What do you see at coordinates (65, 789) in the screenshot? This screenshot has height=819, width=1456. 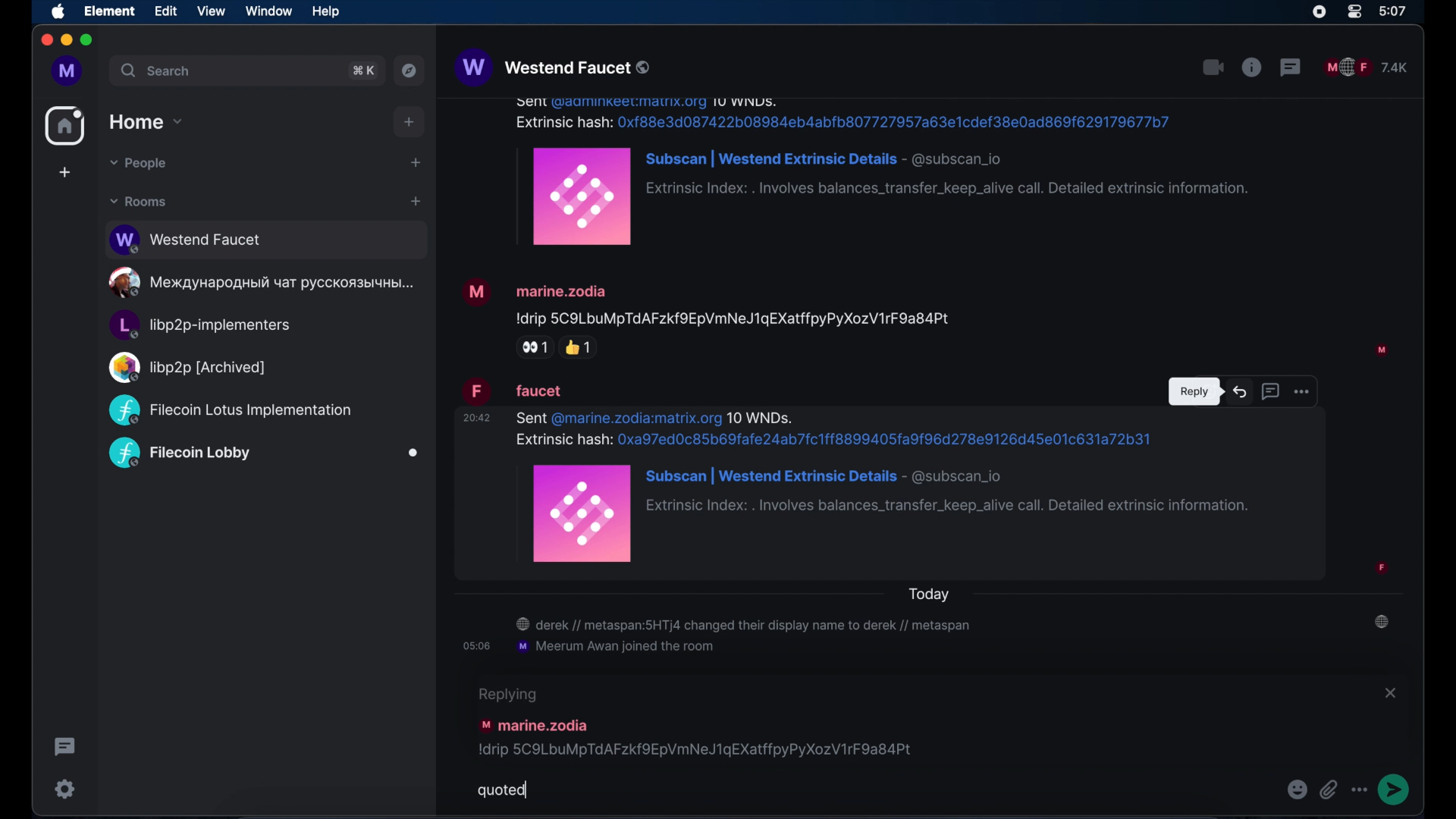 I see `settings` at bounding box center [65, 789].